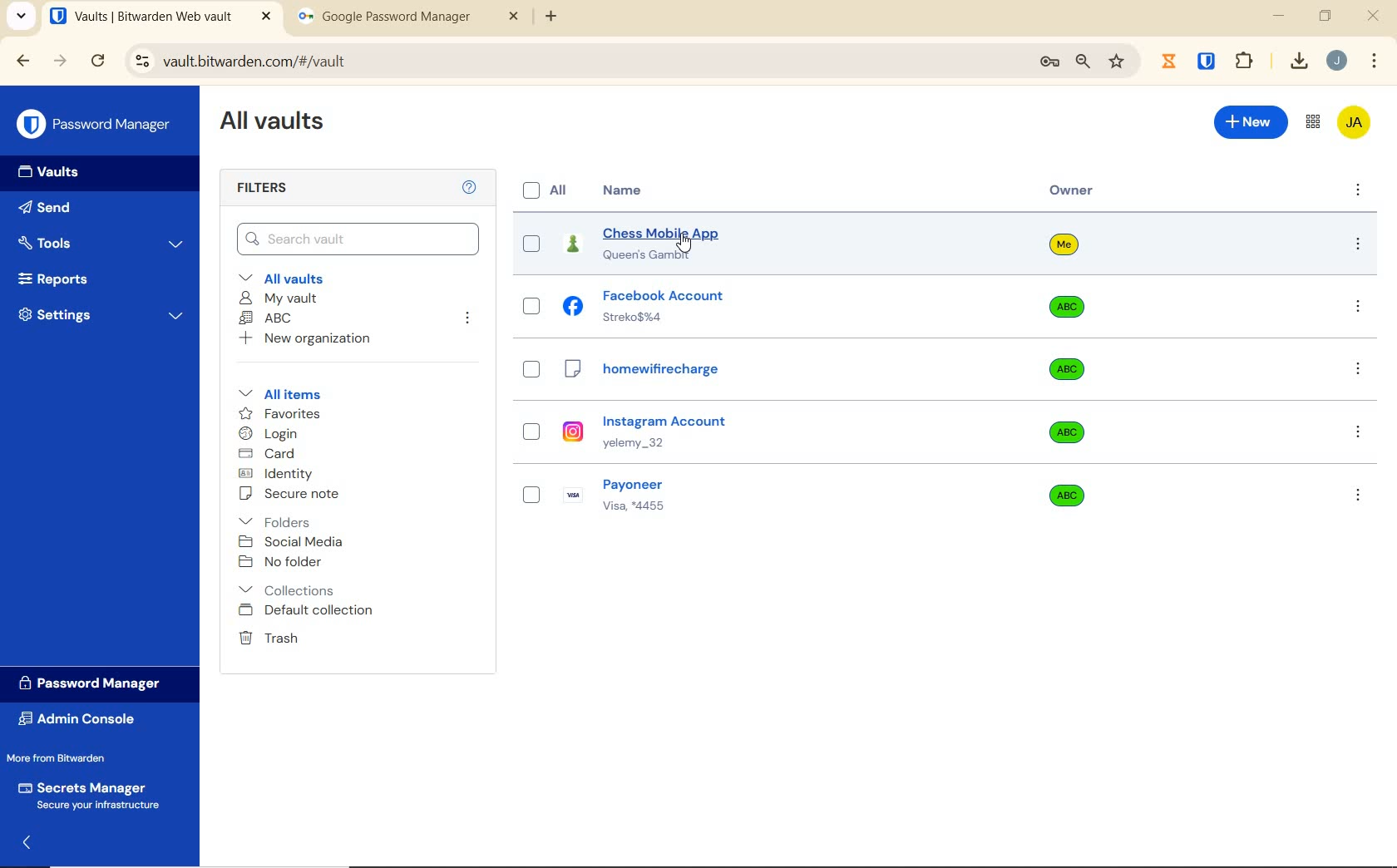 The height and width of the screenshot is (868, 1397). I want to click on more options, so click(1362, 435).